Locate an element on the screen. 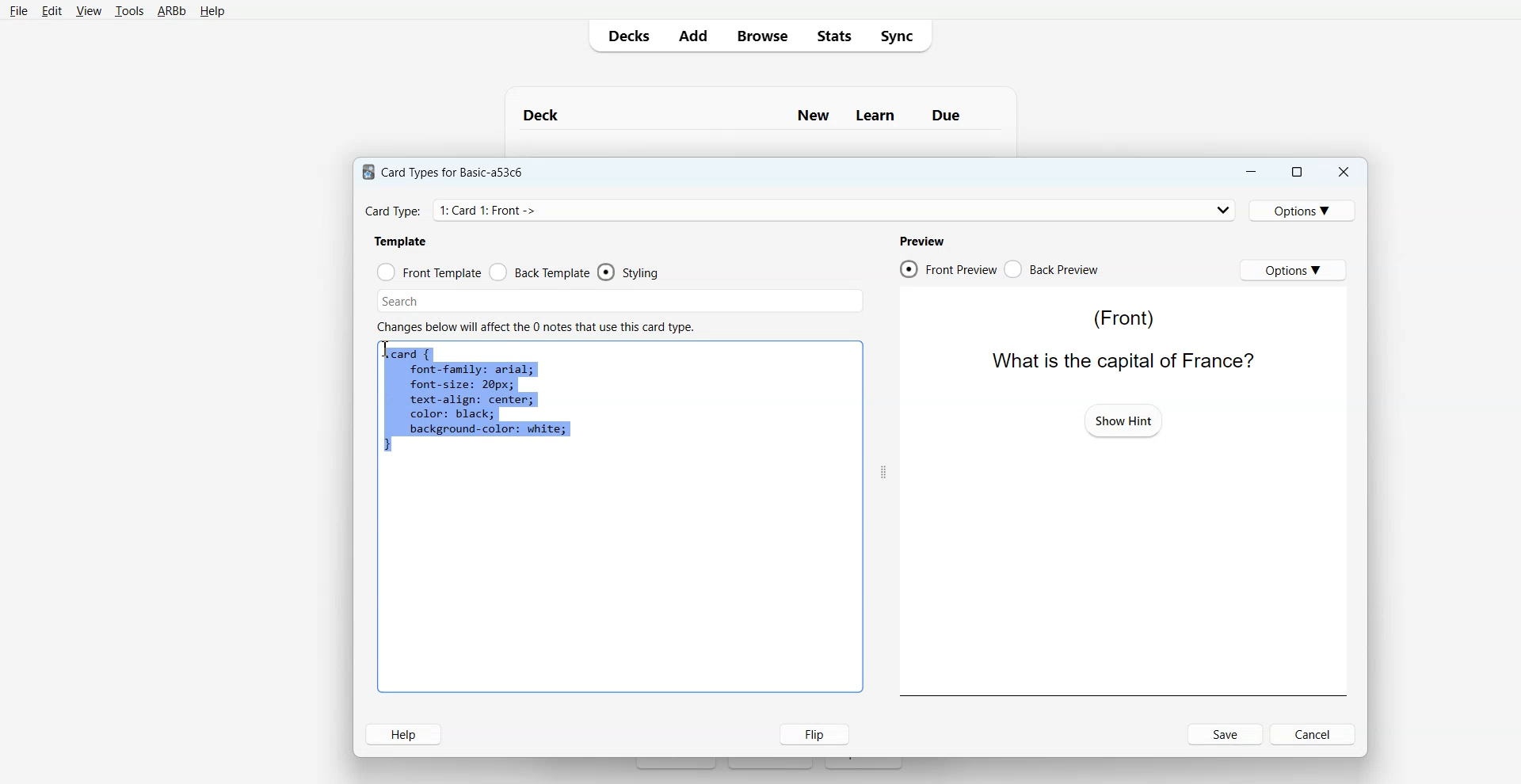 Image resolution: width=1521 pixels, height=784 pixels. (Front)
What is the capital of France? is located at coordinates (1118, 338).